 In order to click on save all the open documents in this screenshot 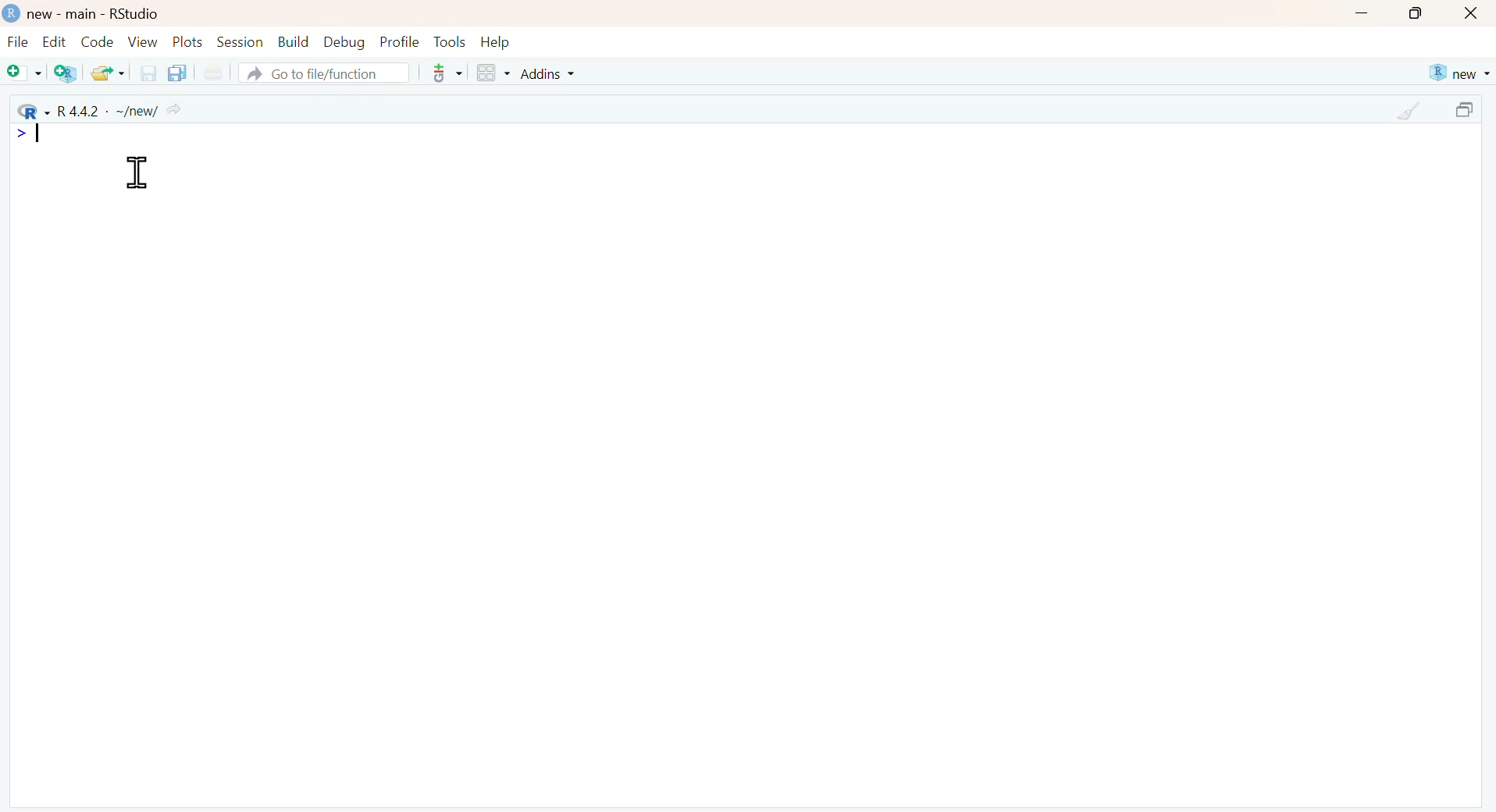, I will do `click(176, 72)`.